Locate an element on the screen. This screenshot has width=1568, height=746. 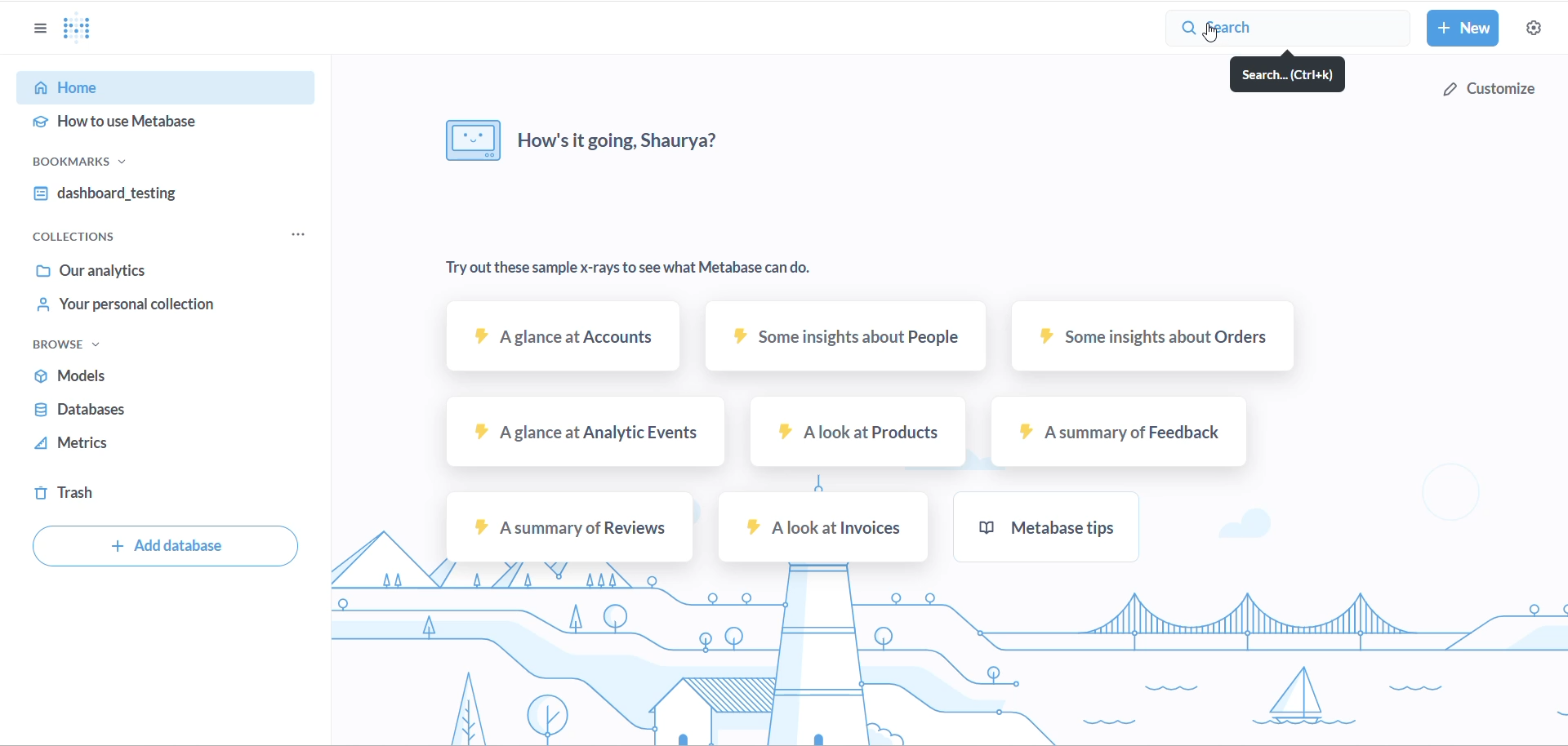
personal collection is located at coordinates (160, 308).